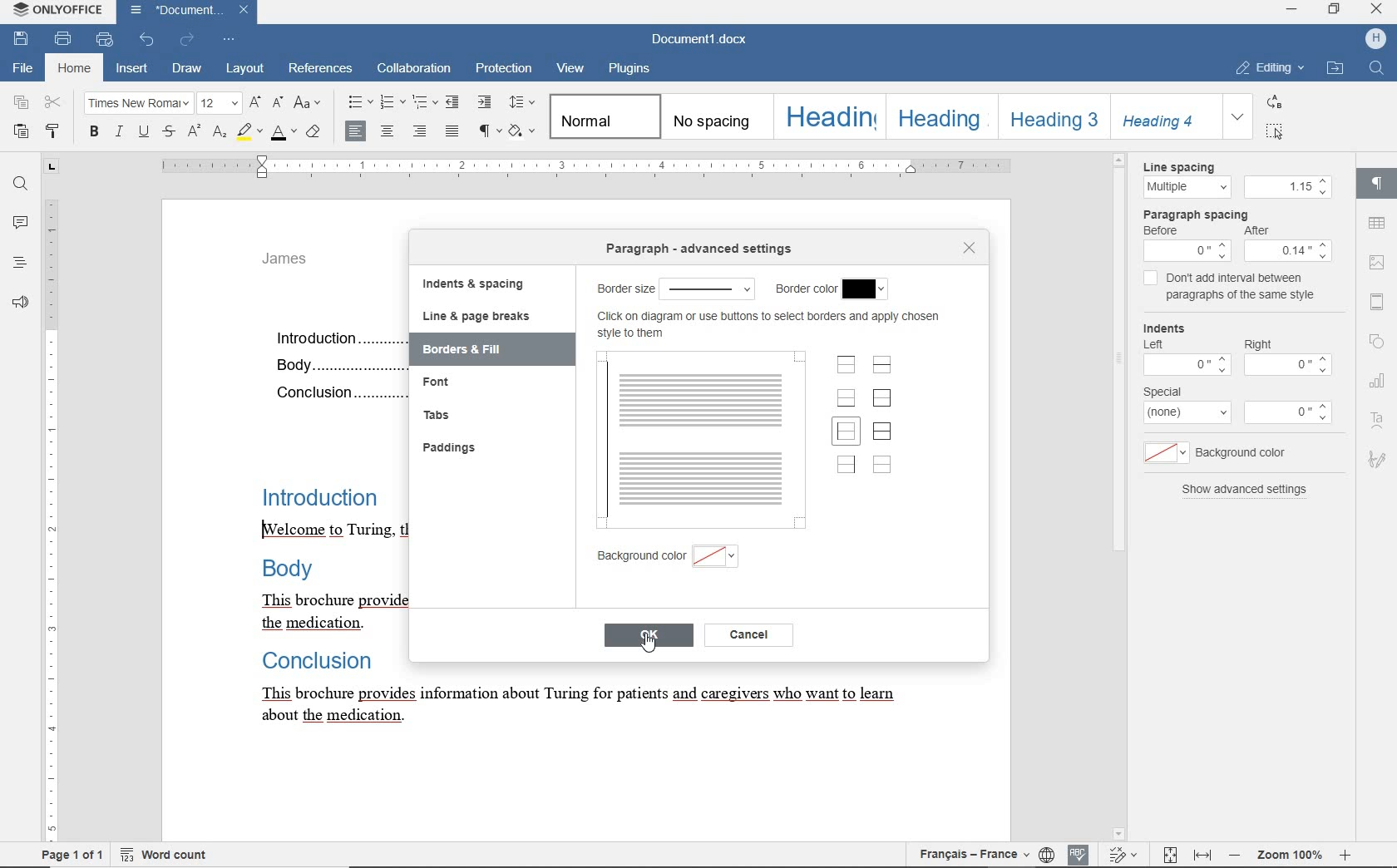 The width and height of the screenshot is (1397, 868). Describe the element at coordinates (1276, 133) in the screenshot. I see `select all` at that location.